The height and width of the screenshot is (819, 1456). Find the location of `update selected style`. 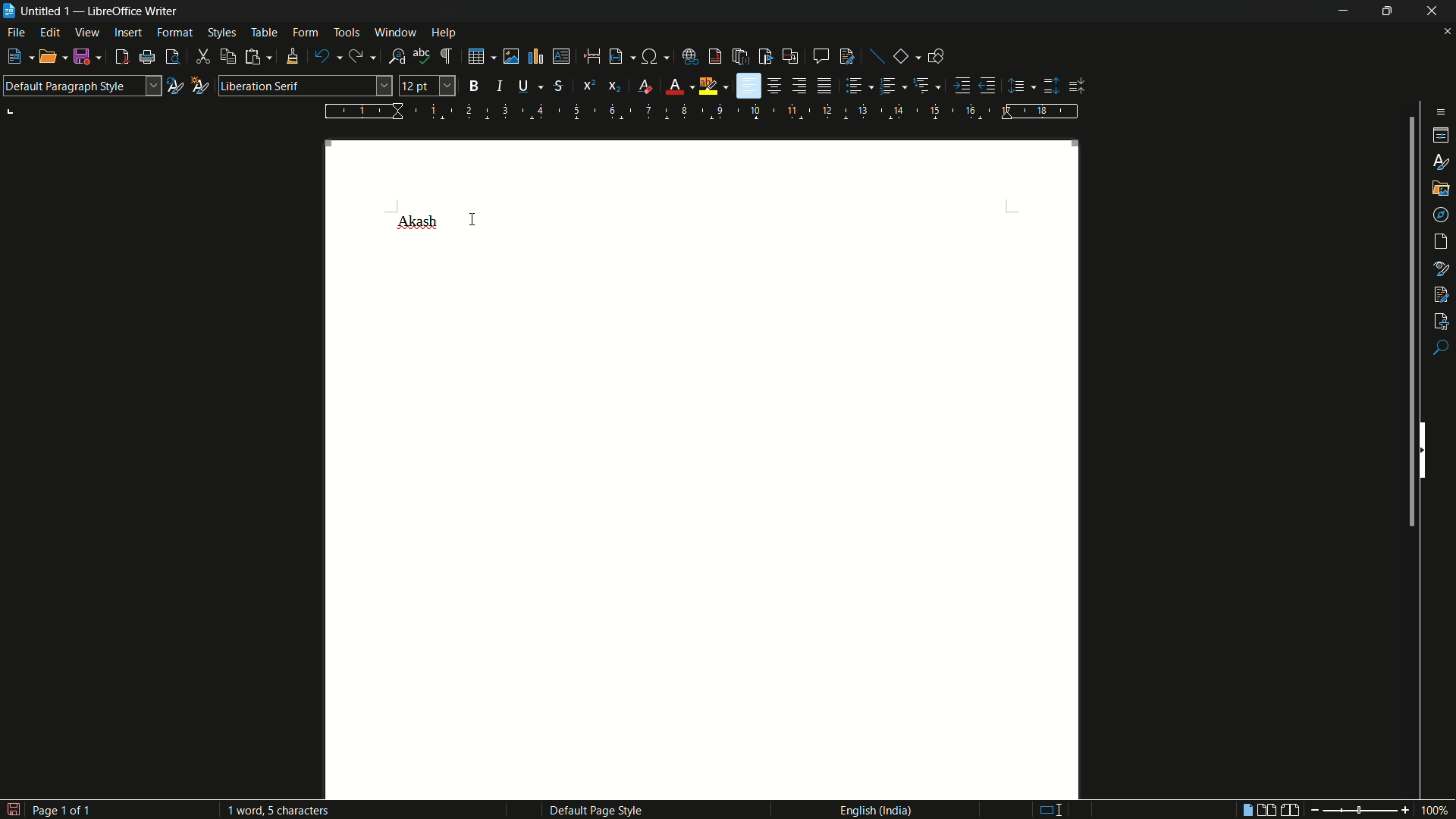

update selected style is located at coordinates (174, 86).